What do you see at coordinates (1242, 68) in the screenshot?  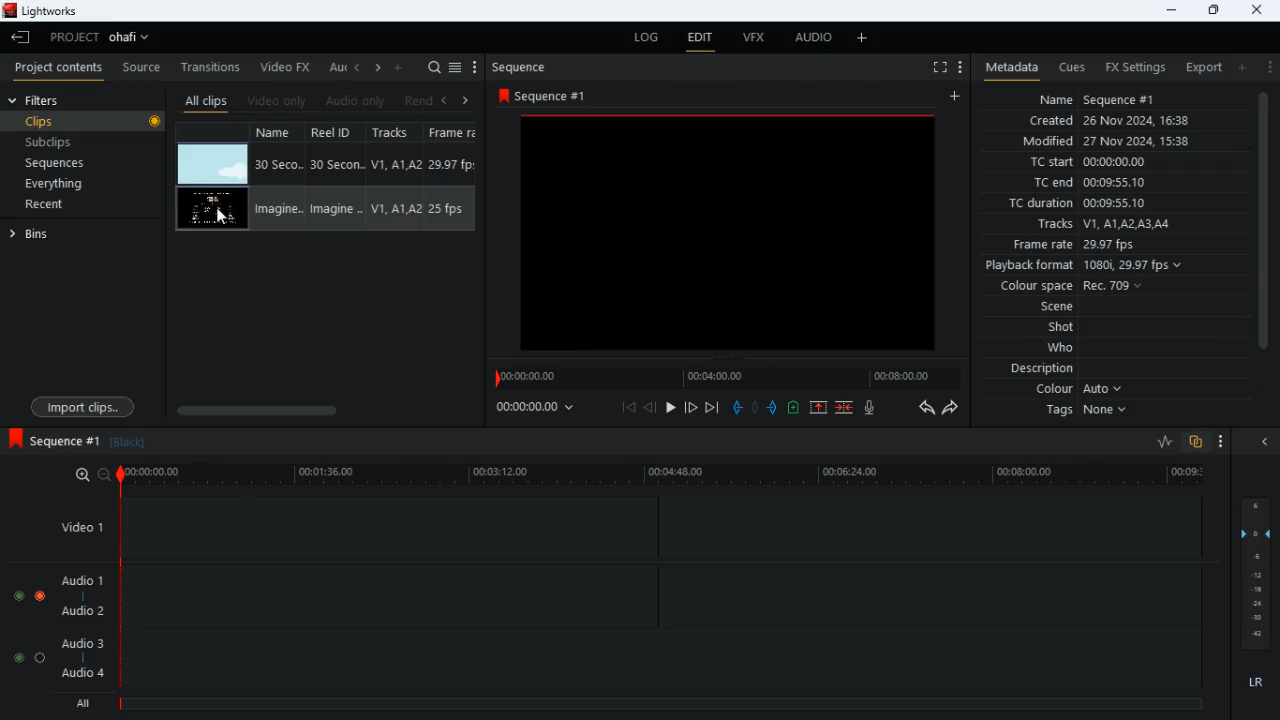 I see `add` at bounding box center [1242, 68].